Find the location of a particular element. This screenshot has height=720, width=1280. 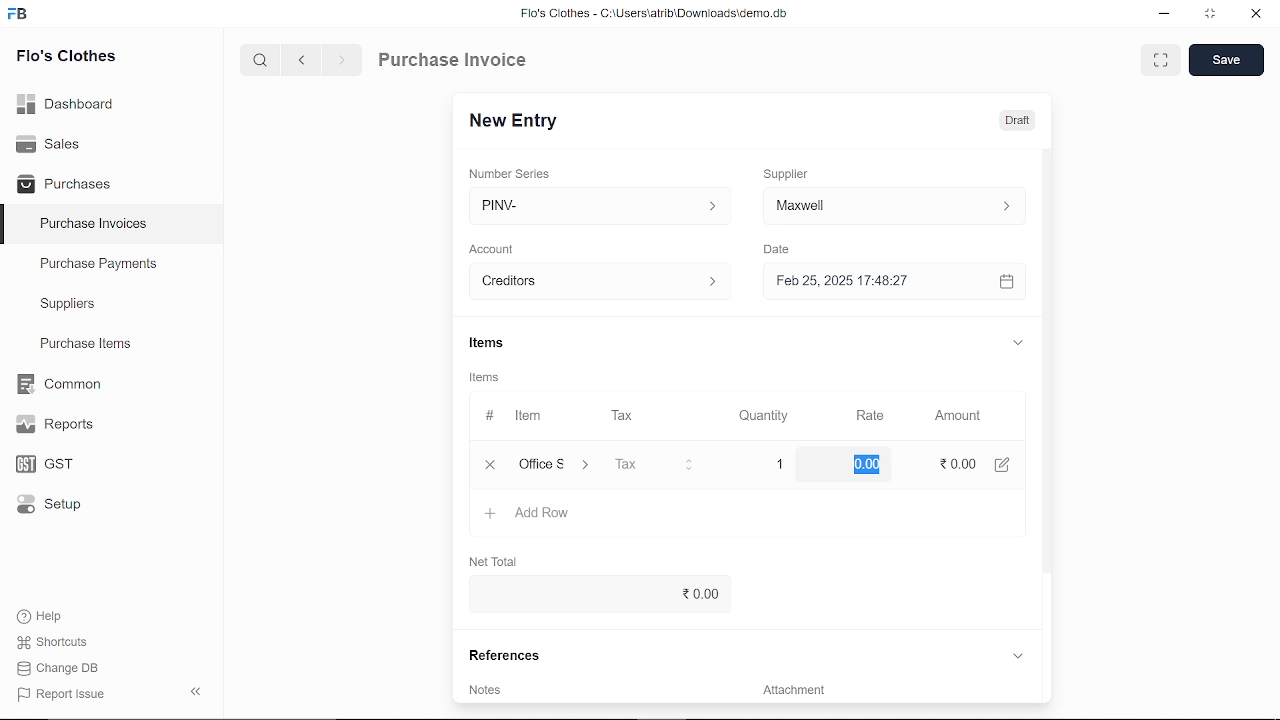

0.00 is located at coordinates (954, 465).